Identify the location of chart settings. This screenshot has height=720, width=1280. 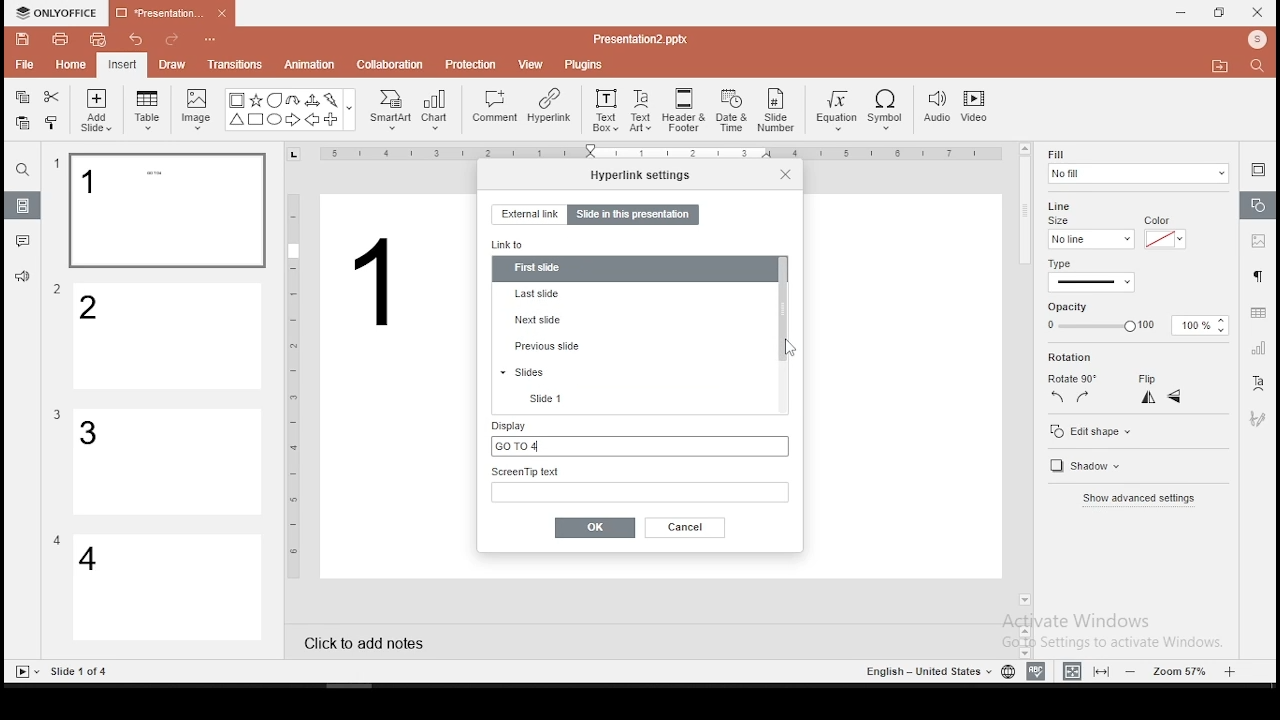
(1257, 348).